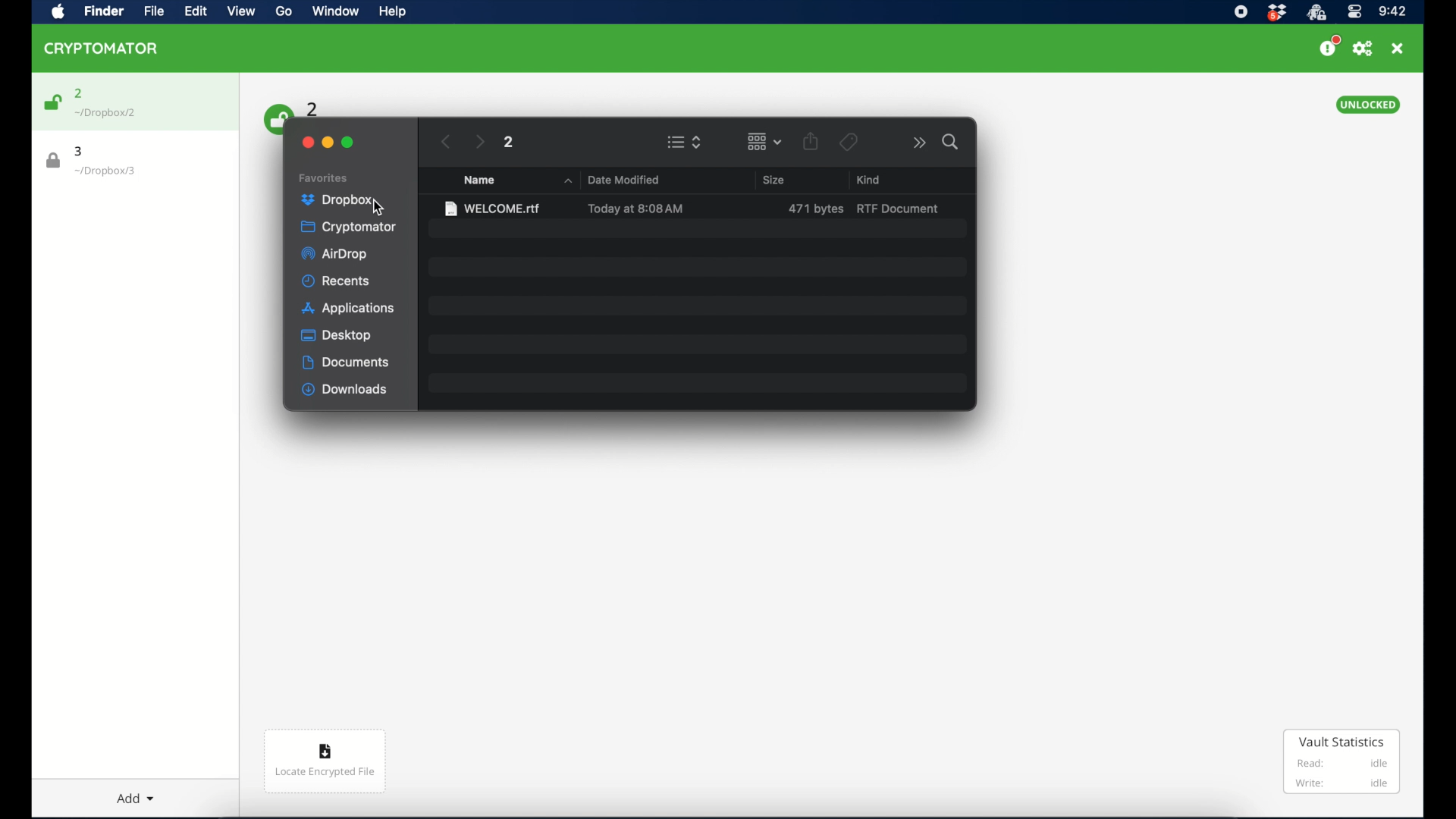 This screenshot has height=819, width=1456. What do you see at coordinates (195, 11) in the screenshot?
I see `edit` at bounding box center [195, 11].